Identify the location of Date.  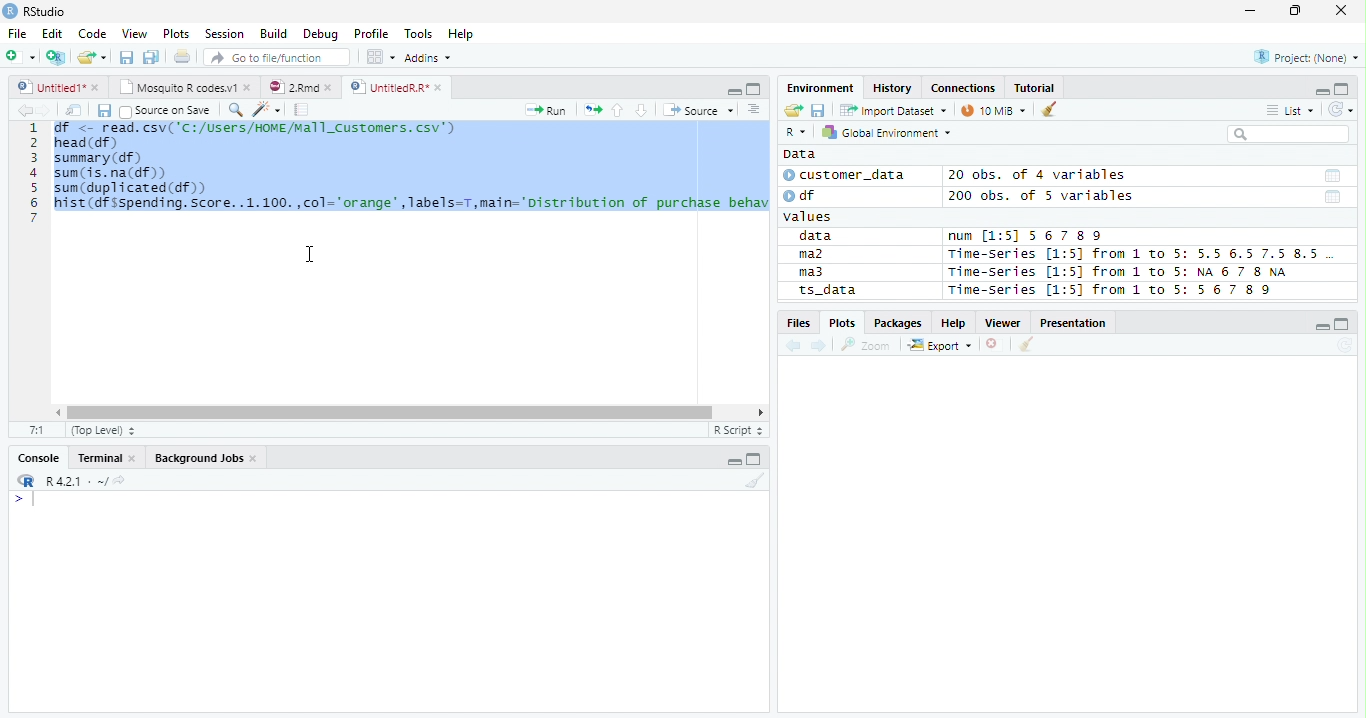
(1333, 198).